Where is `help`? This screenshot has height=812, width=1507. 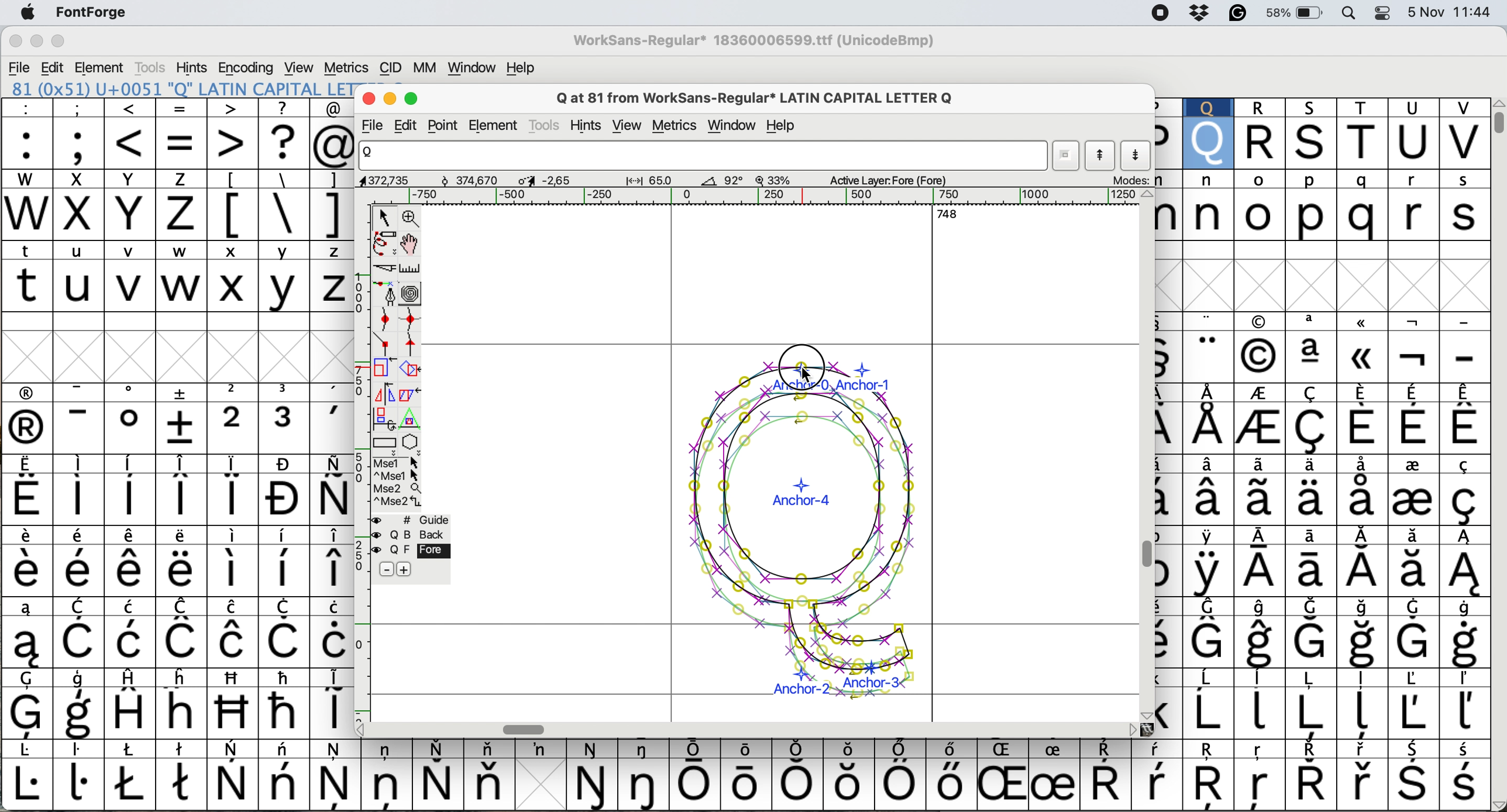
help is located at coordinates (782, 126).